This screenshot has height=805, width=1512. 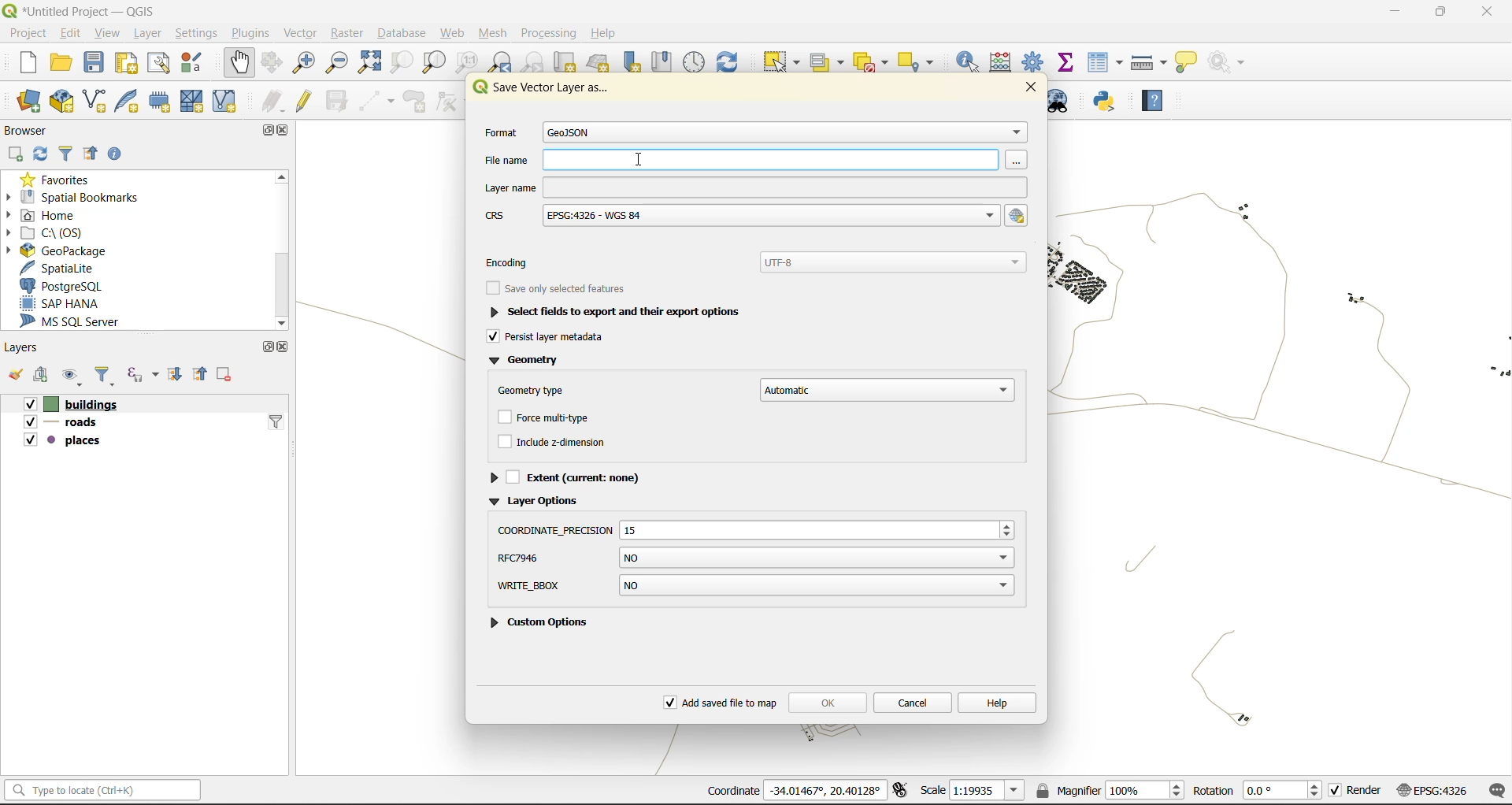 I want to click on crs, so click(x=740, y=217).